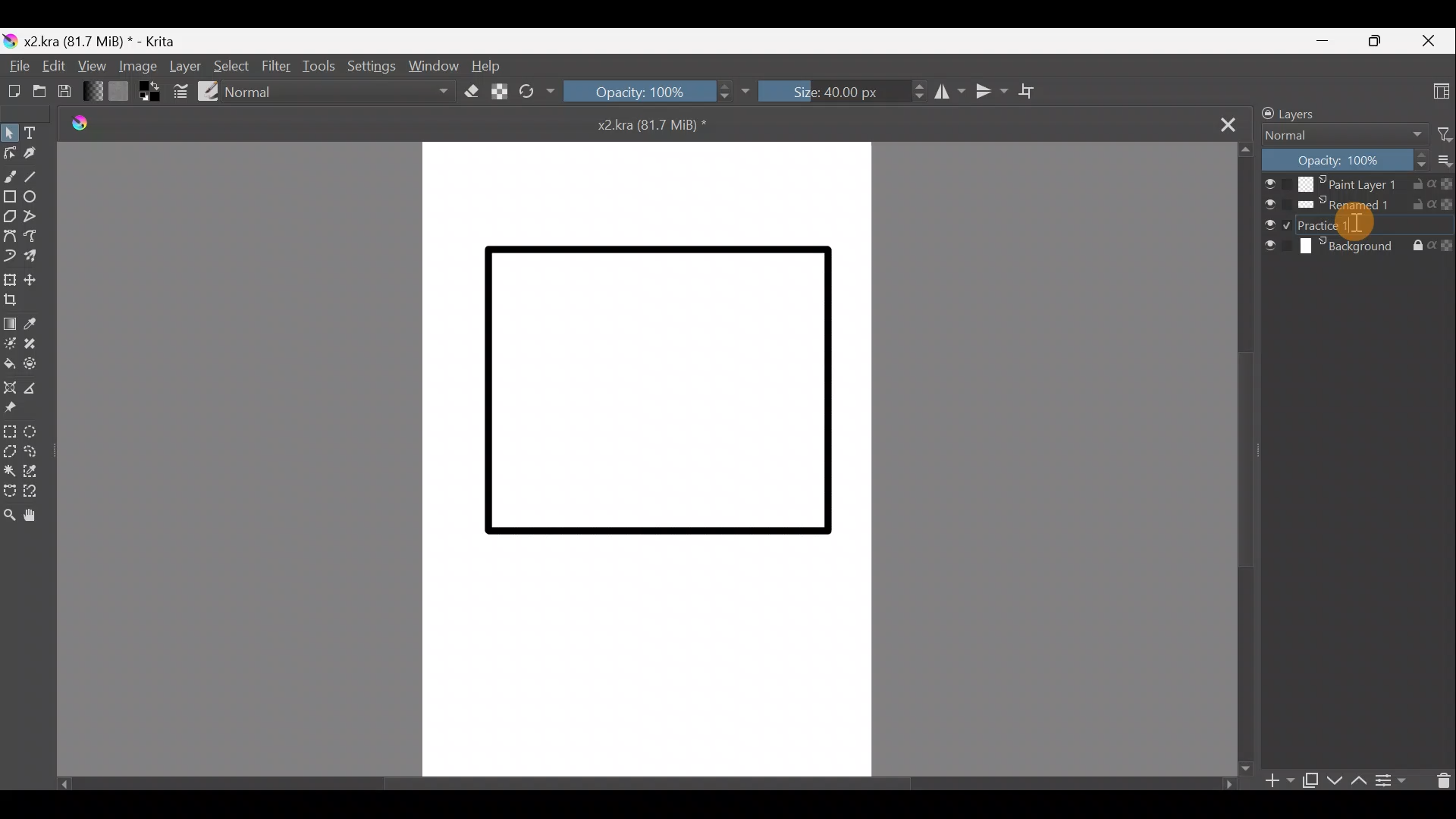 This screenshot has height=819, width=1456. What do you see at coordinates (1308, 781) in the screenshot?
I see `Duplicate layer or mask` at bounding box center [1308, 781].